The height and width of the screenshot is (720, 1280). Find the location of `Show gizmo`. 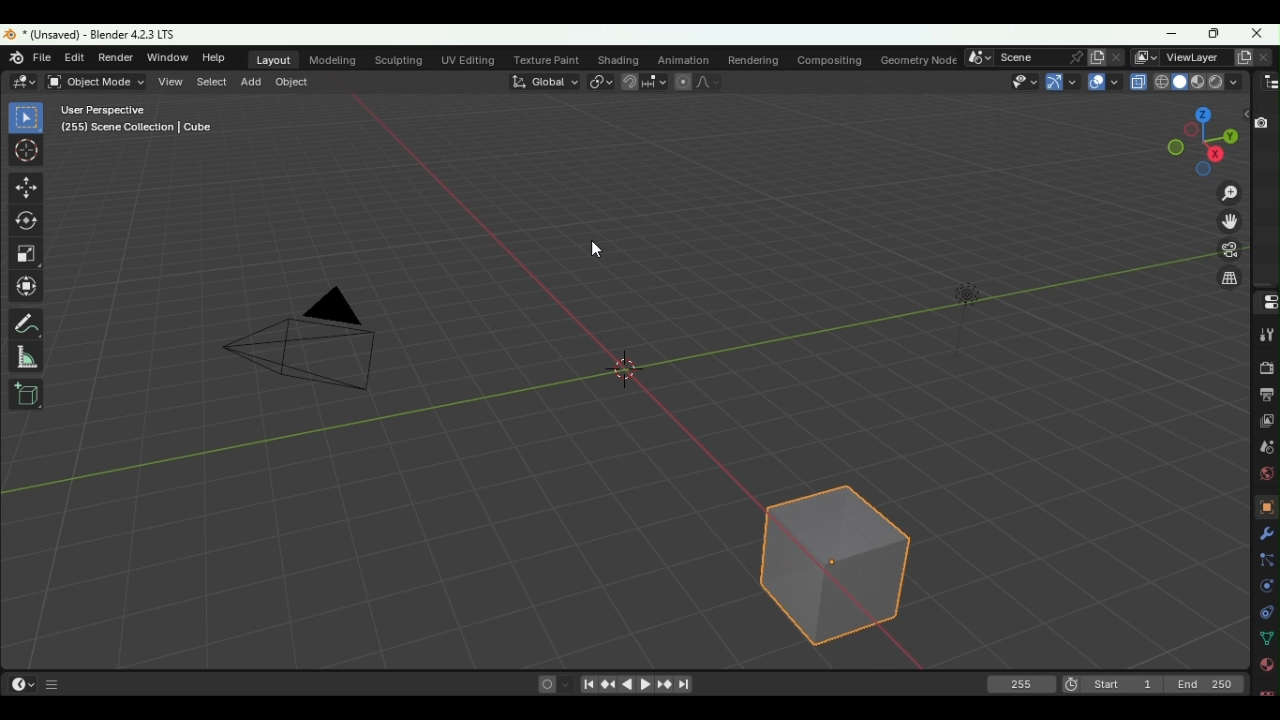

Show gizmo is located at coordinates (1061, 82).